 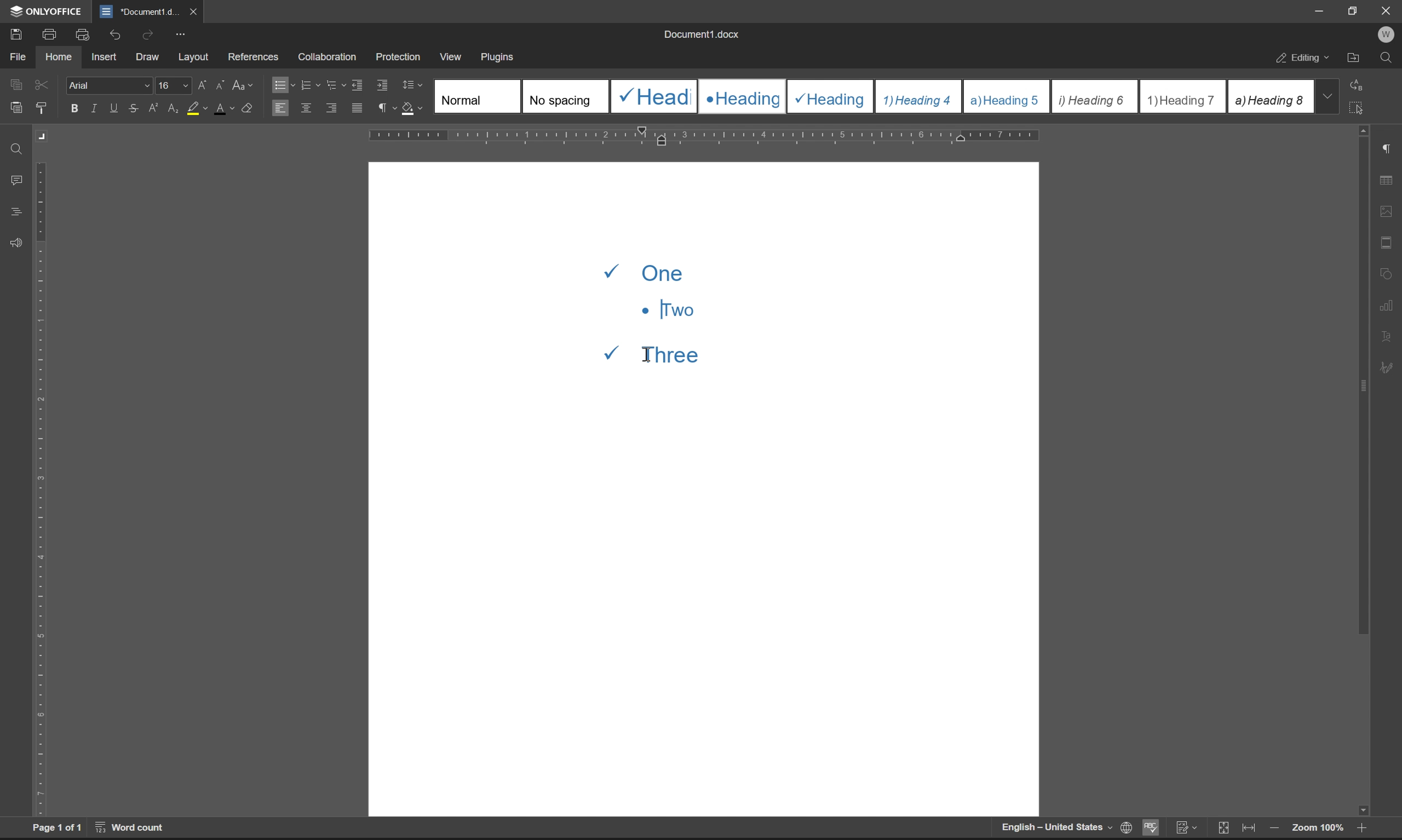 I want to click on Margin, so click(x=44, y=136).